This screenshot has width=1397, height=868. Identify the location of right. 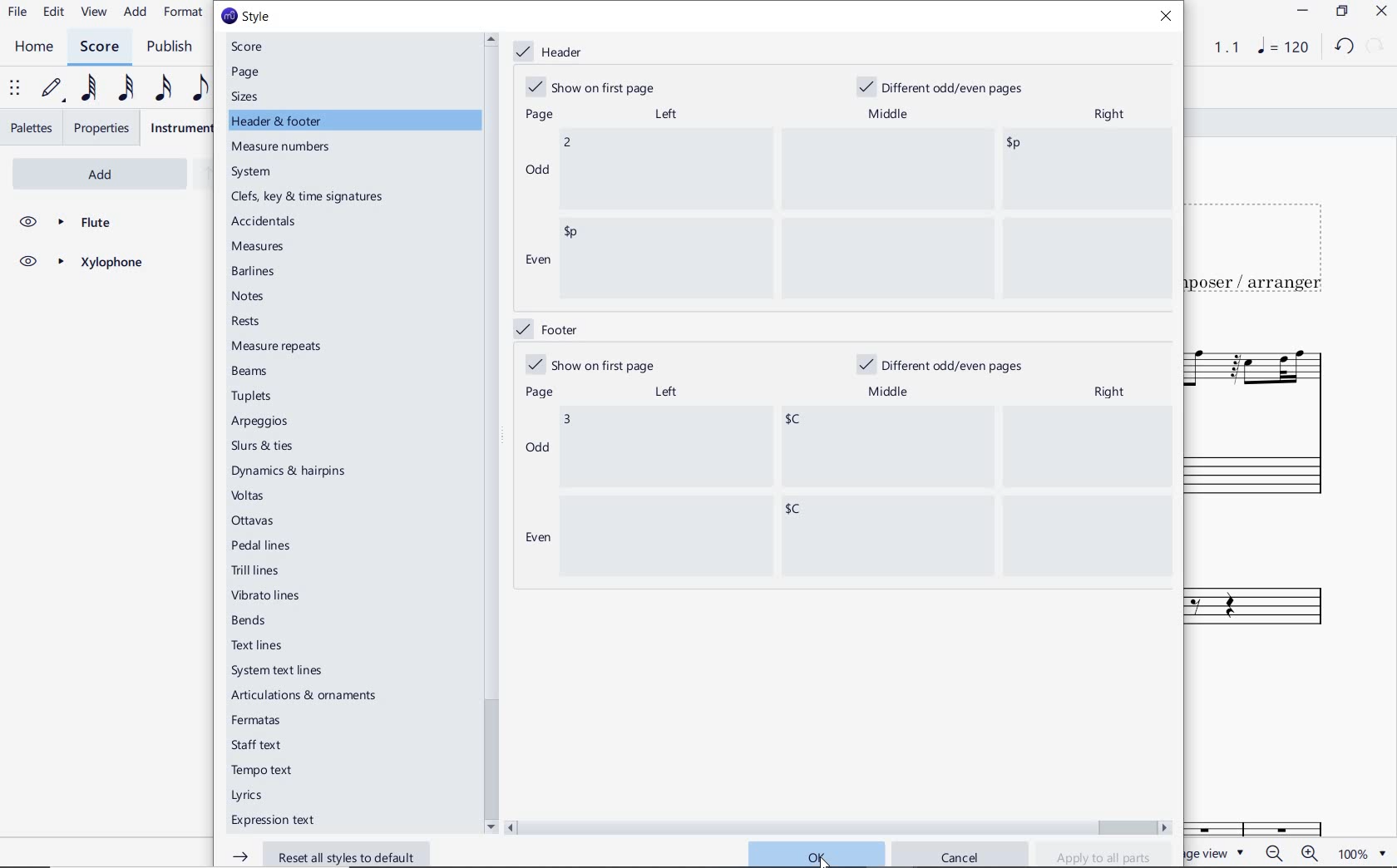
(1108, 116).